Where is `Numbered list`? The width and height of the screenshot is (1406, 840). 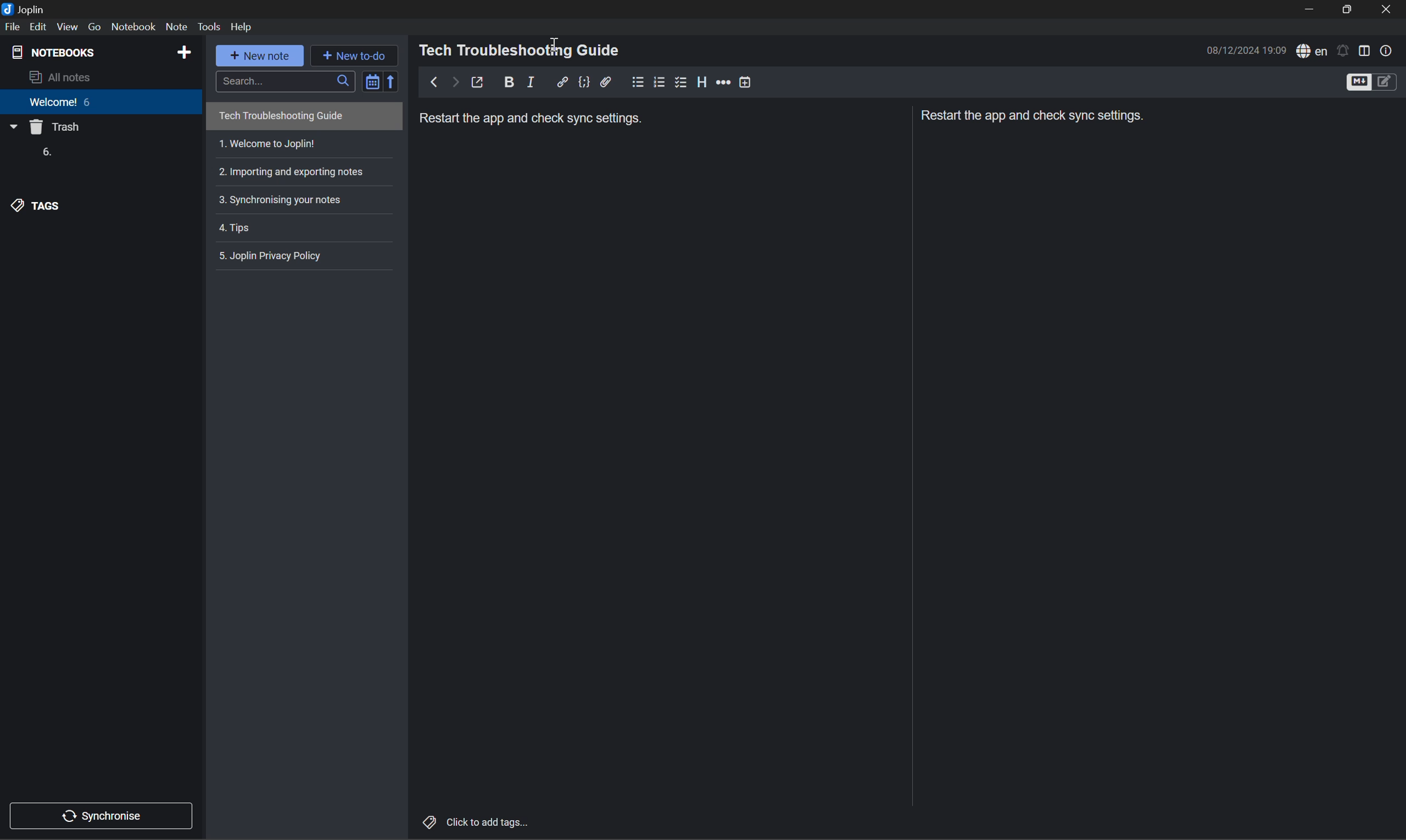
Numbered list is located at coordinates (660, 82).